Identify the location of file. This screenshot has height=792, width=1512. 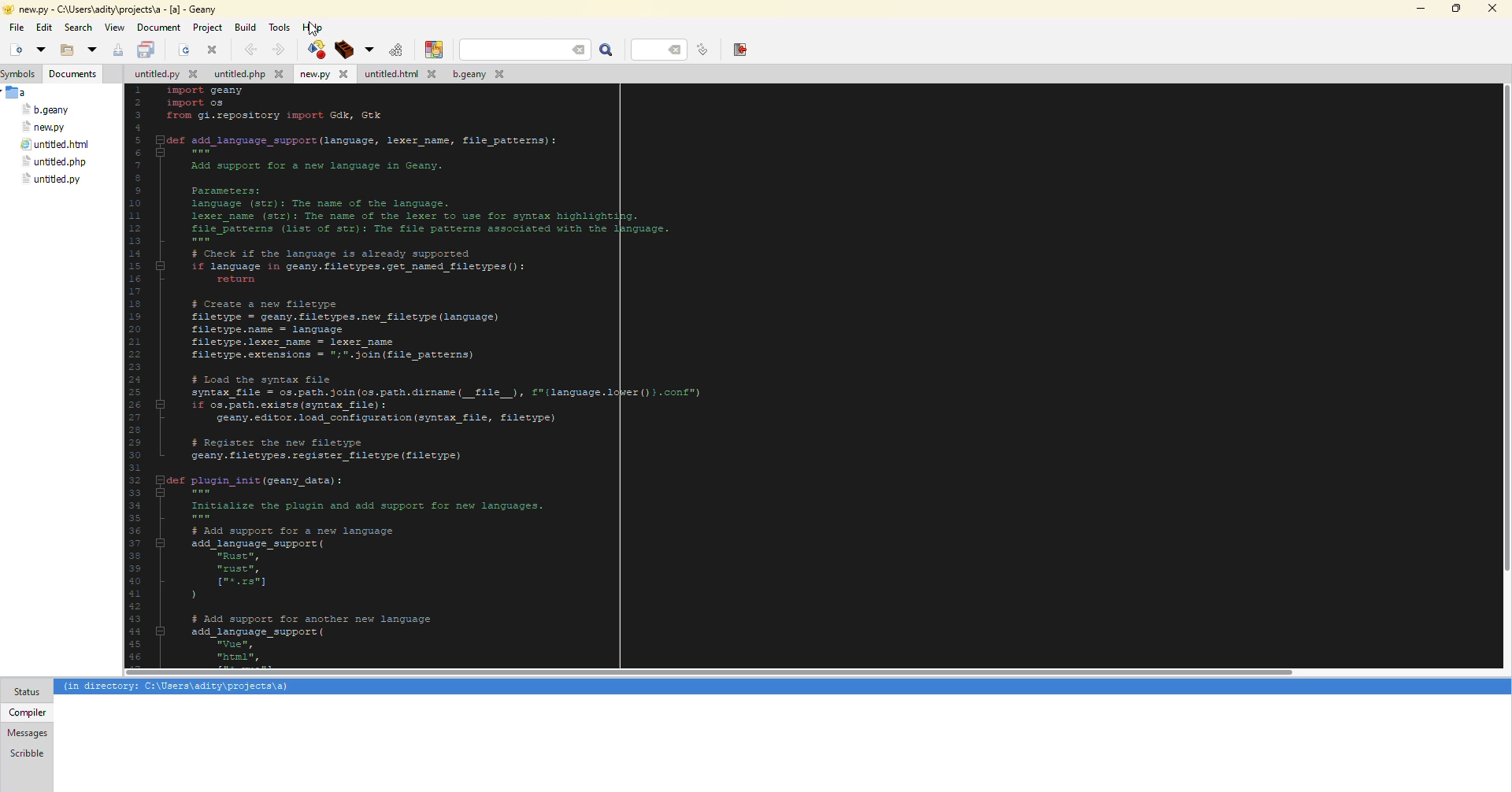
(17, 28).